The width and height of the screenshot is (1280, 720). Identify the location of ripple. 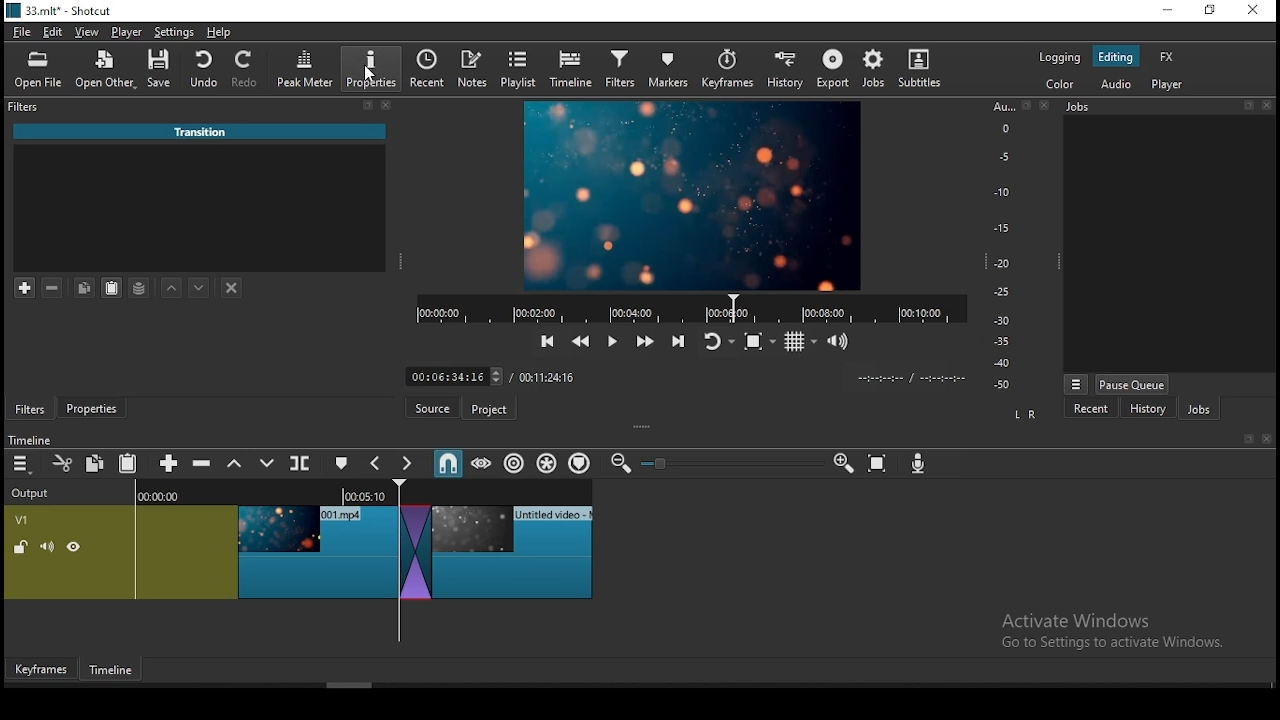
(514, 464).